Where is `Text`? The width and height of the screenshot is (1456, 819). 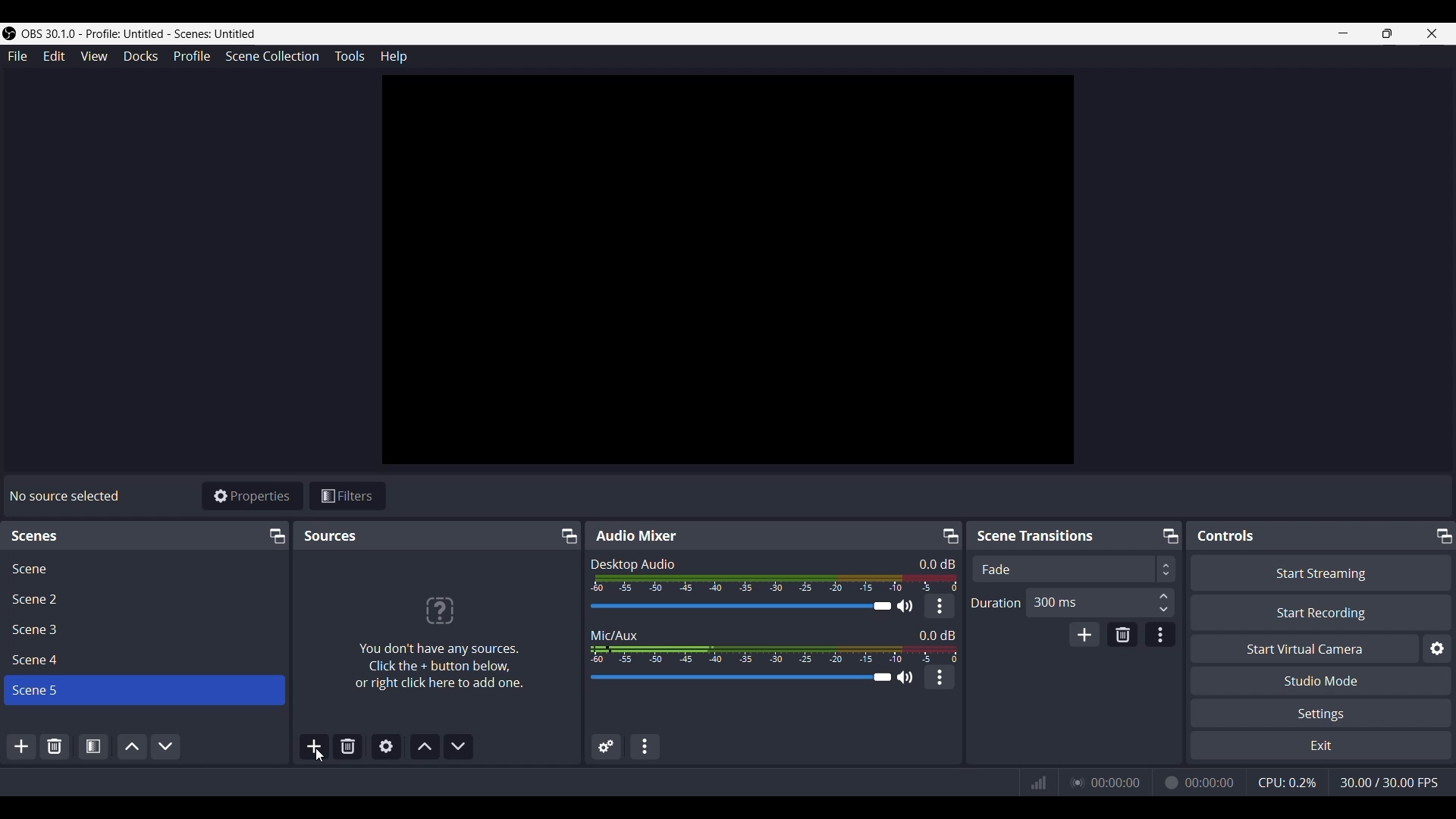 Text is located at coordinates (620, 634).